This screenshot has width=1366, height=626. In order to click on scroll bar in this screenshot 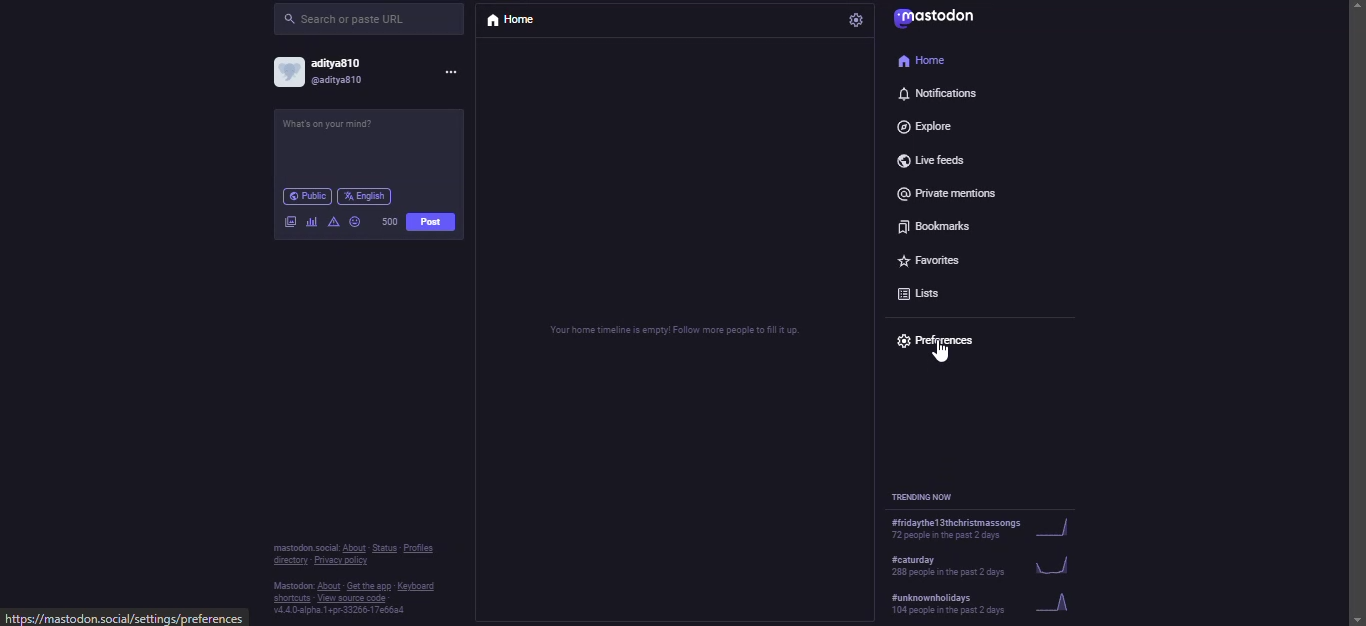, I will do `click(1359, 293)`.